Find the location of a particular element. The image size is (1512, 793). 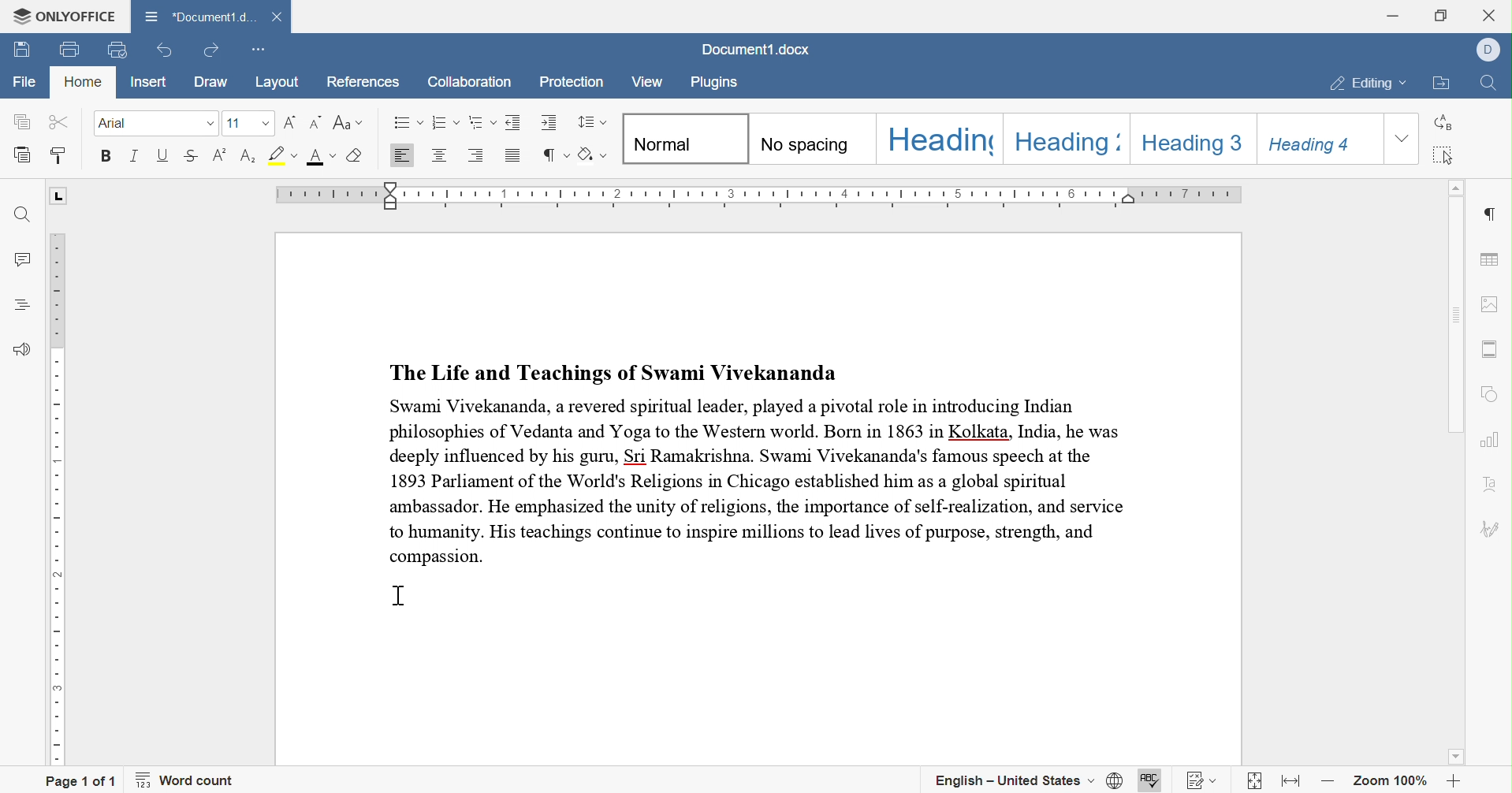

redo is located at coordinates (209, 50).